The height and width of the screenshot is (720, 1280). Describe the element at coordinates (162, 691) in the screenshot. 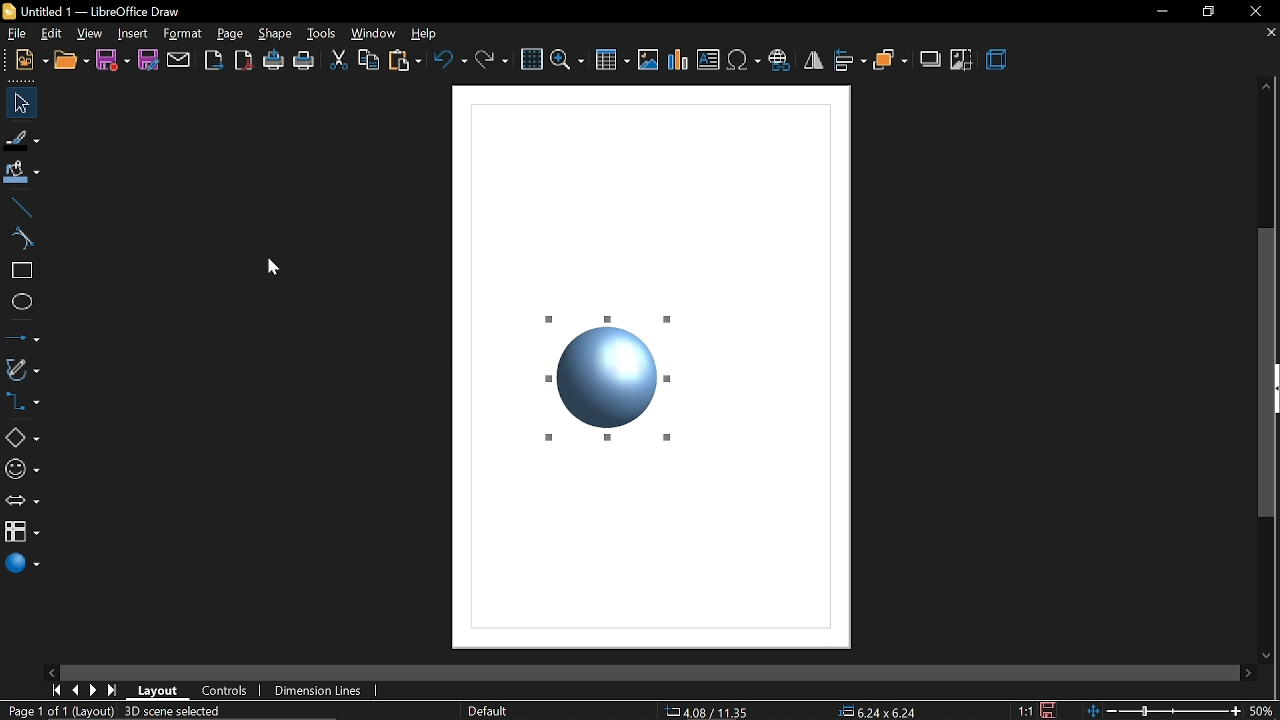

I see `layout` at that location.